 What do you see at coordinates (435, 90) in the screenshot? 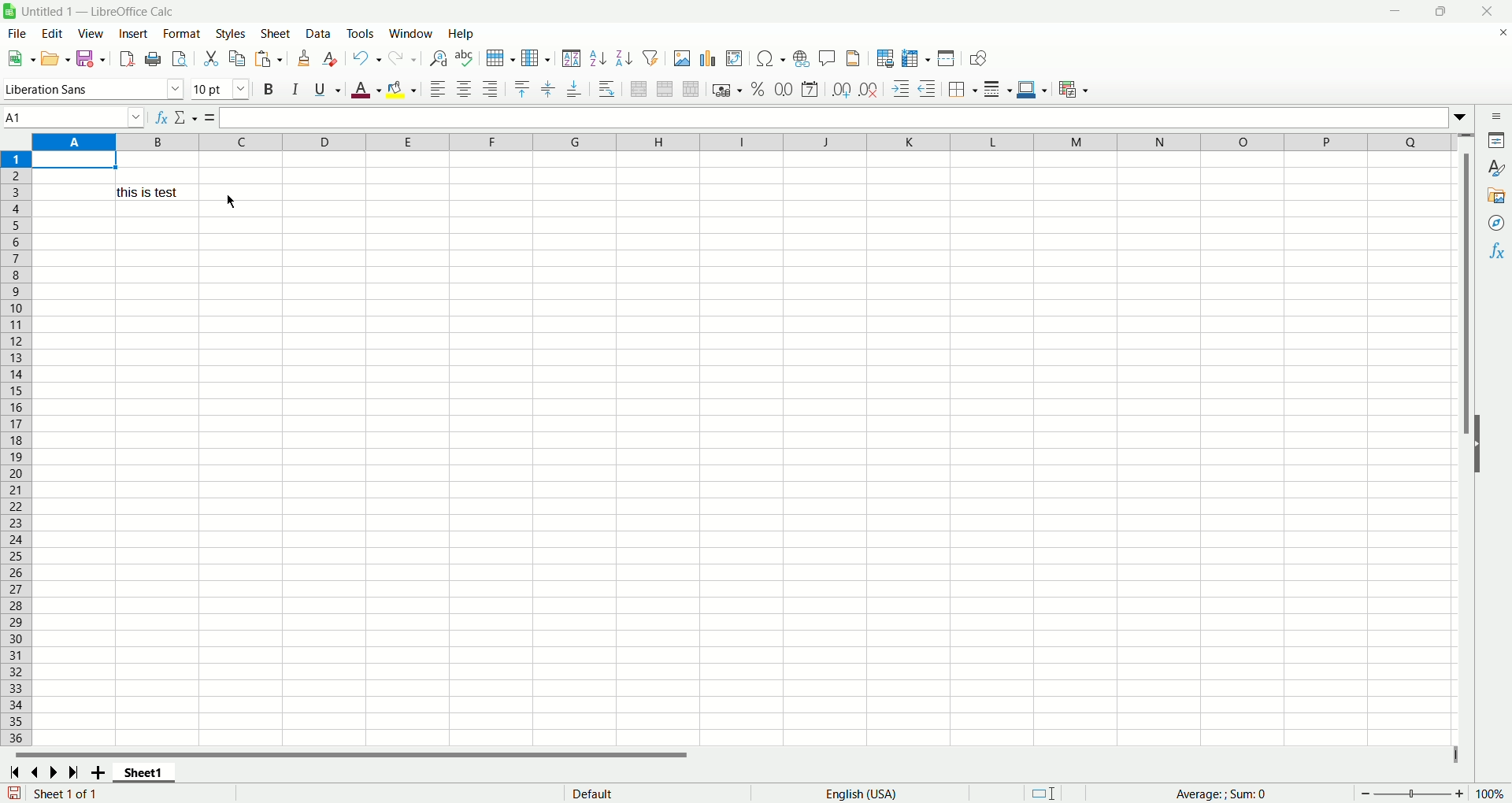
I see `align left` at bounding box center [435, 90].